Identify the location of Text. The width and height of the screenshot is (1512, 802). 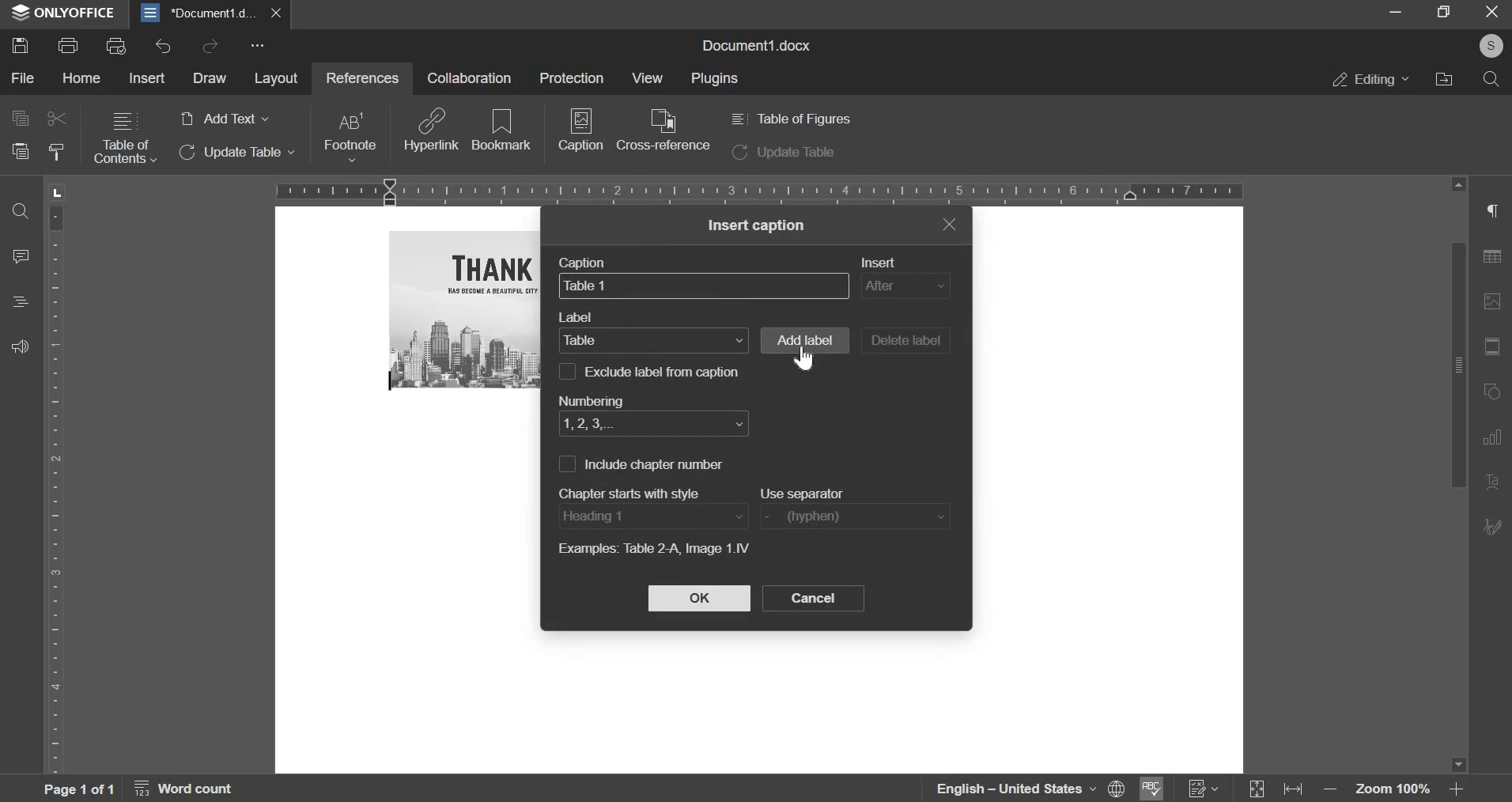
(1494, 483).